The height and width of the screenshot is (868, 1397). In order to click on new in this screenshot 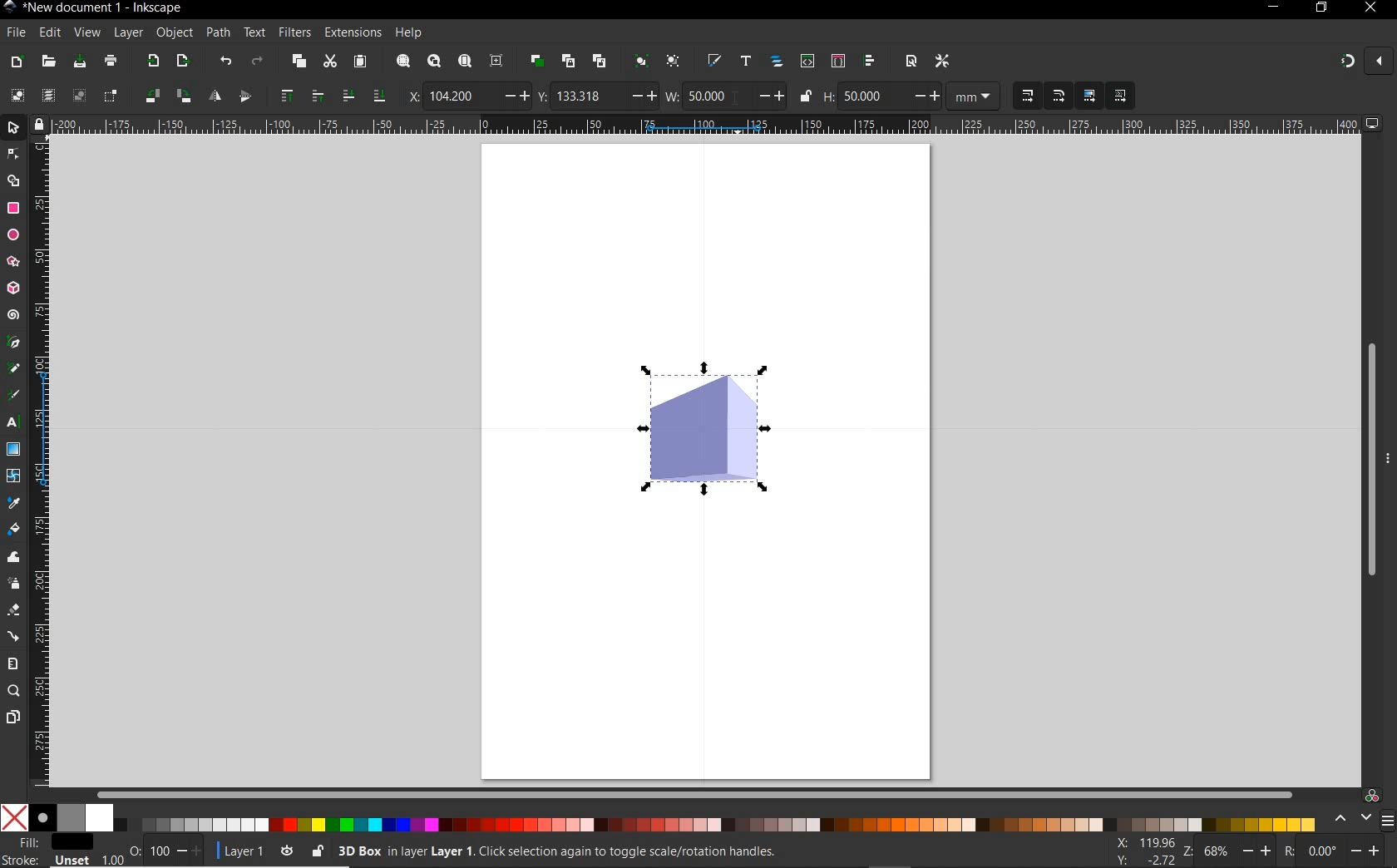, I will do `click(15, 61)`.